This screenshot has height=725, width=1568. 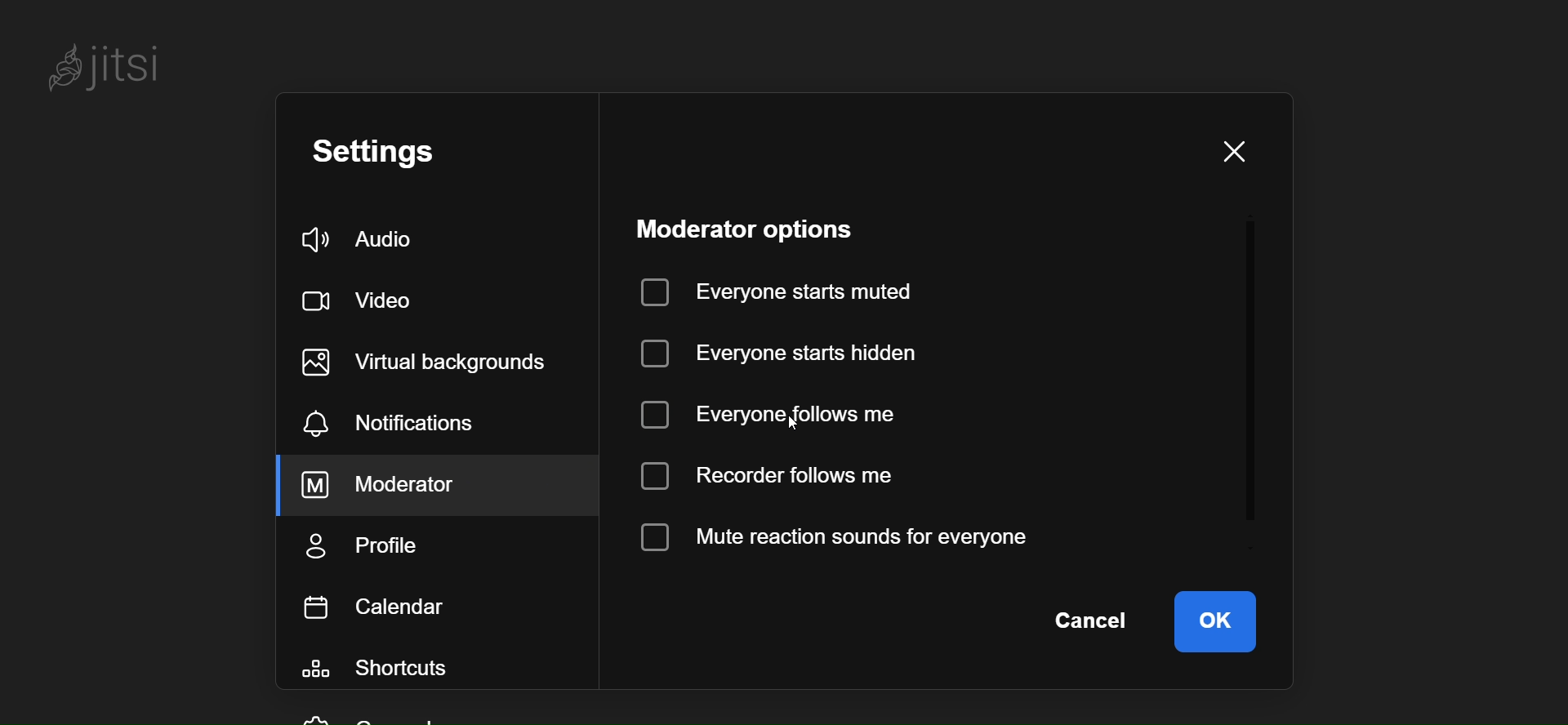 I want to click on audio, so click(x=366, y=239).